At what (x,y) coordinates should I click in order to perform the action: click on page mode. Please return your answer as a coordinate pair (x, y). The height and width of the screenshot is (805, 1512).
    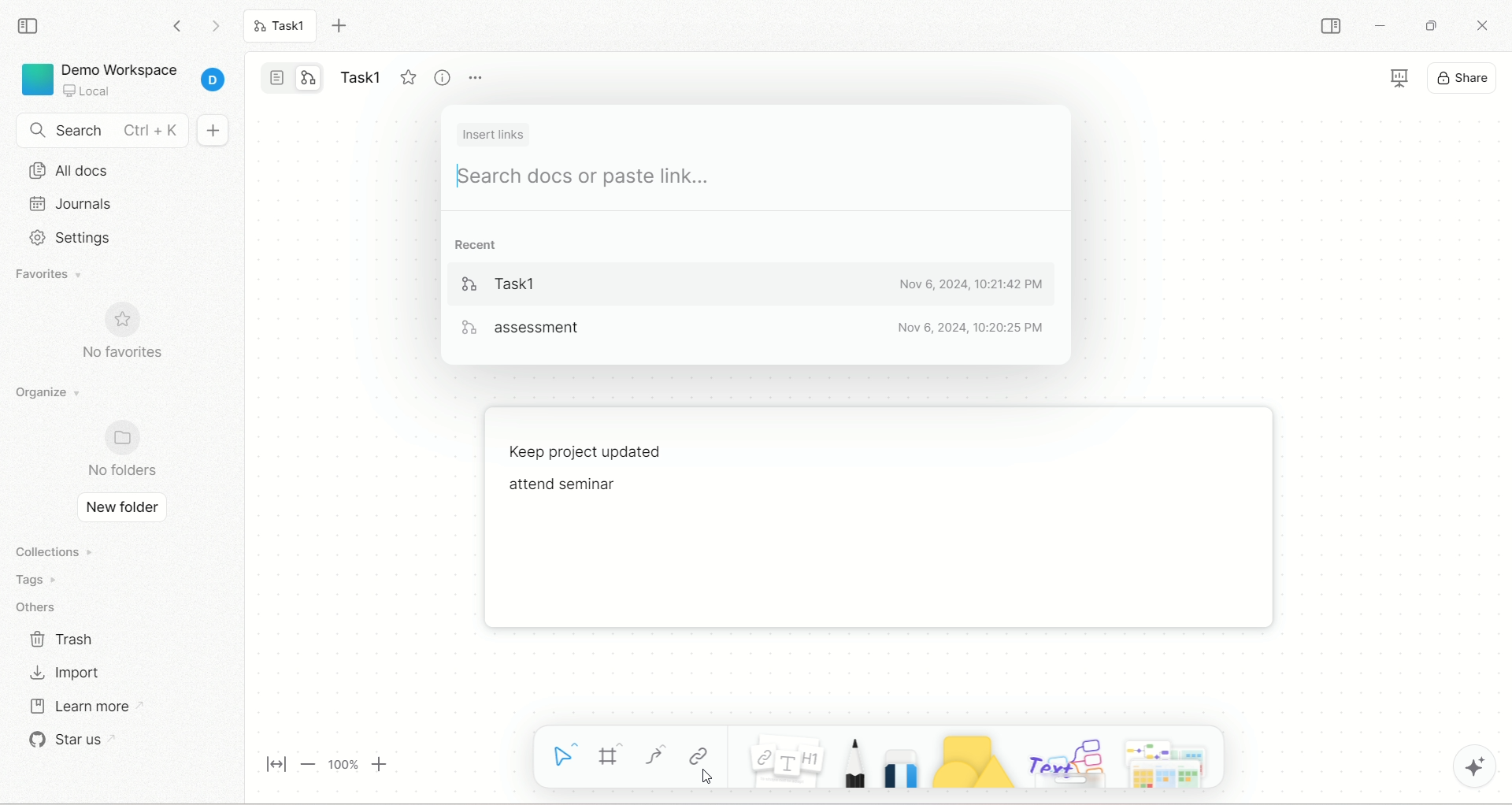
    Looking at the image, I should click on (277, 76).